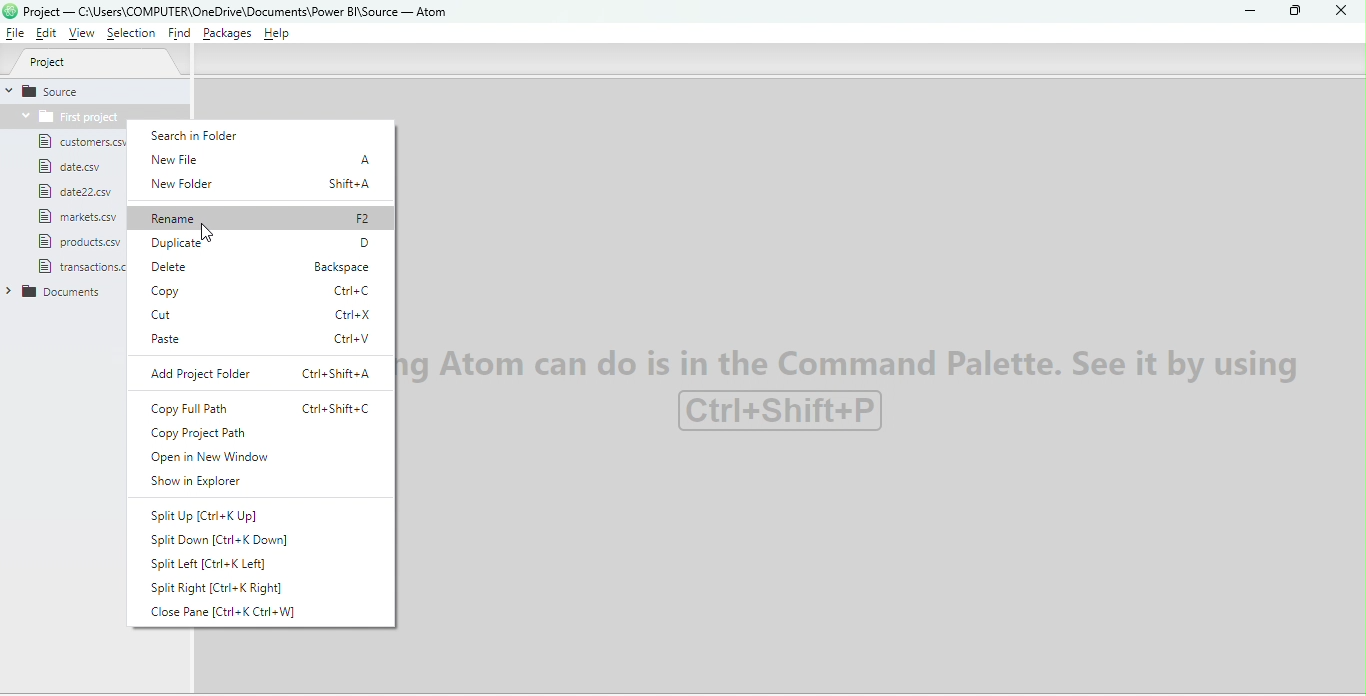  What do you see at coordinates (102, 64) in the screenshot?
I see `Project` at bounding box center [102, 64].